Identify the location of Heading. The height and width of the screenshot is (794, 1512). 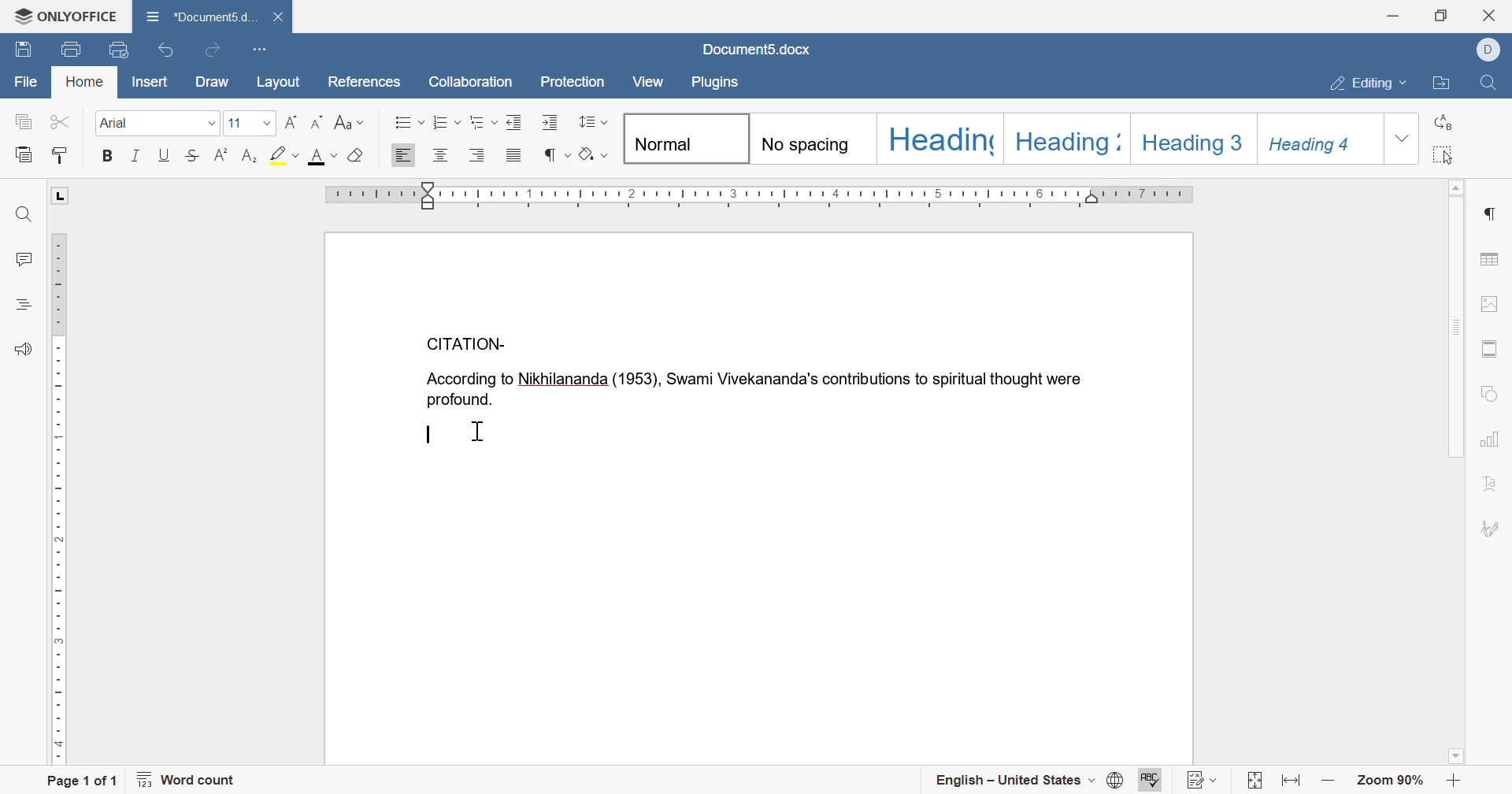
(1068, 139).